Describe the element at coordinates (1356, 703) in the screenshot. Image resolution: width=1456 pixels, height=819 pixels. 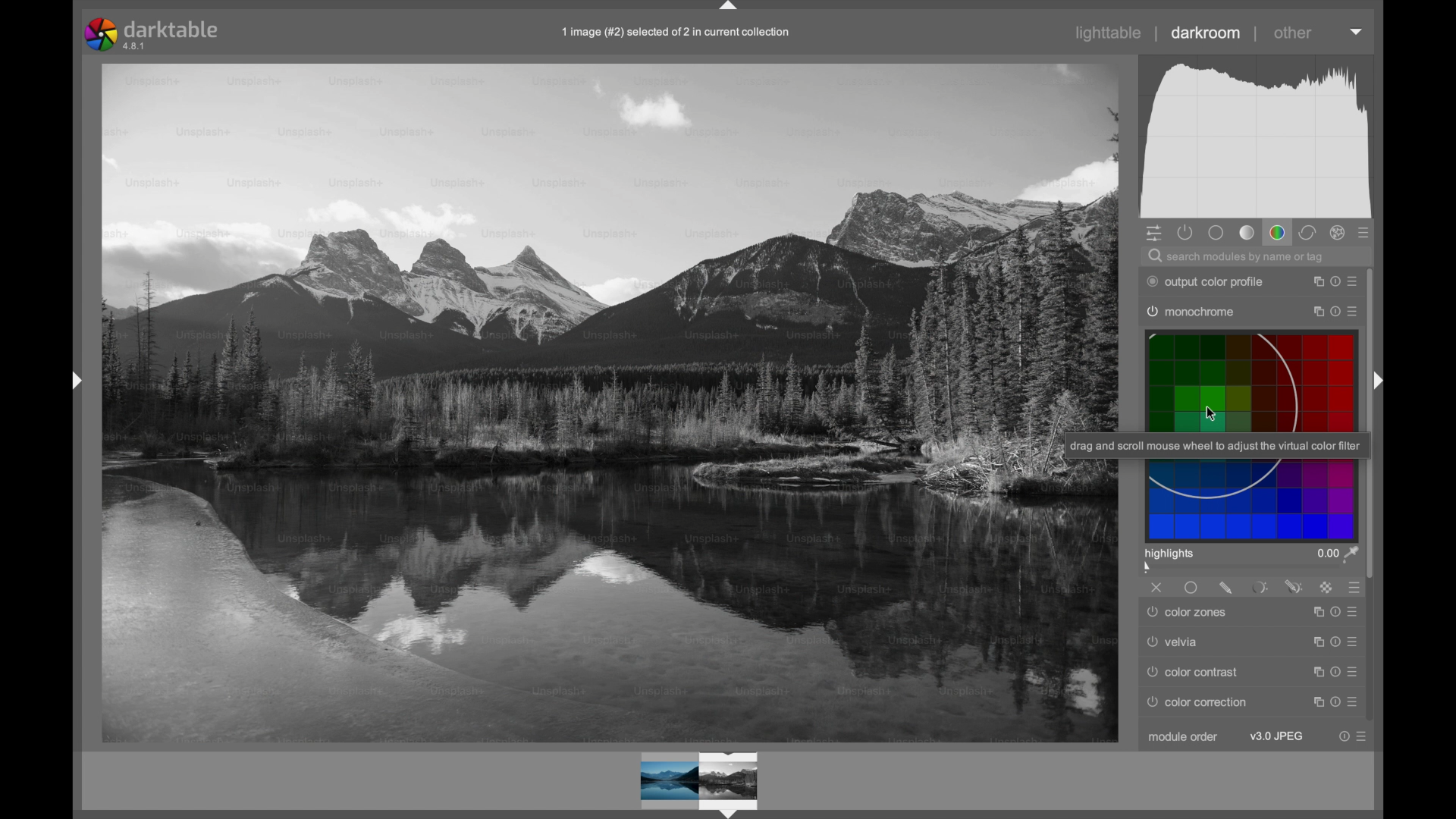
I see `presets` at that location.